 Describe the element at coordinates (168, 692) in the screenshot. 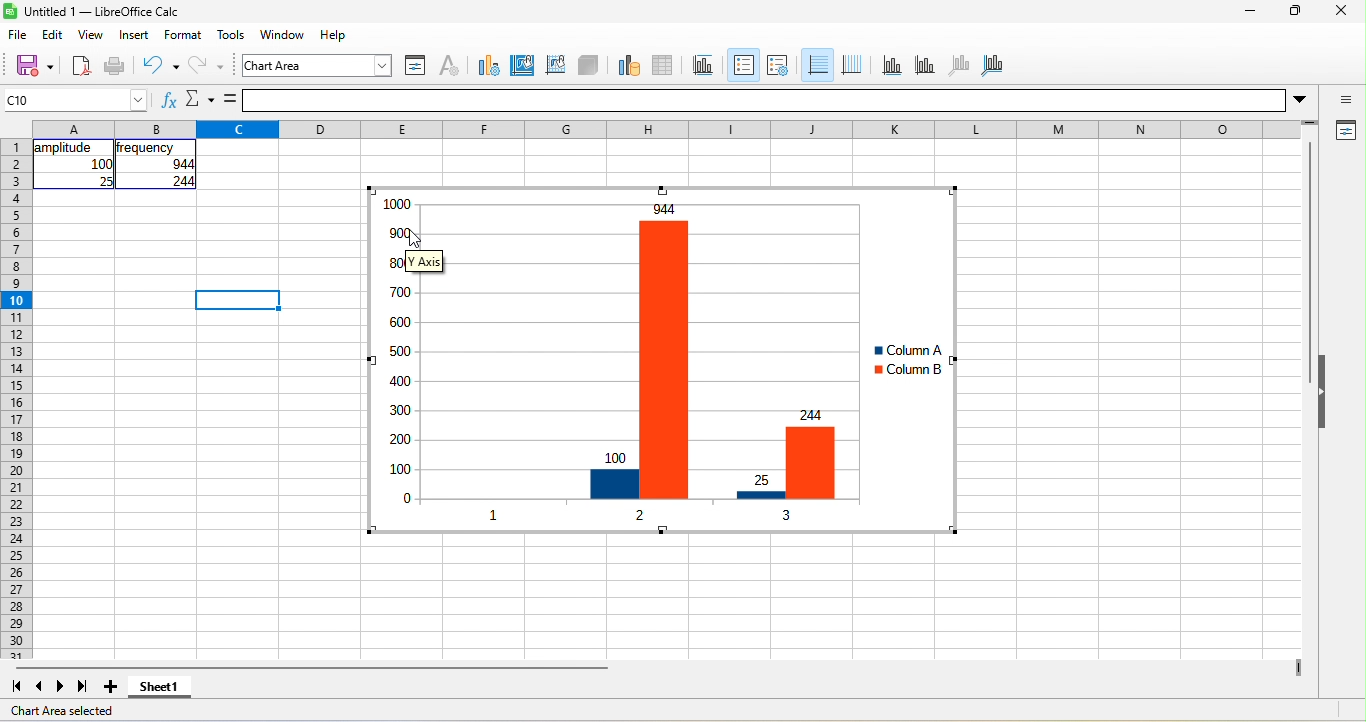

I see `sheet1` at that location.